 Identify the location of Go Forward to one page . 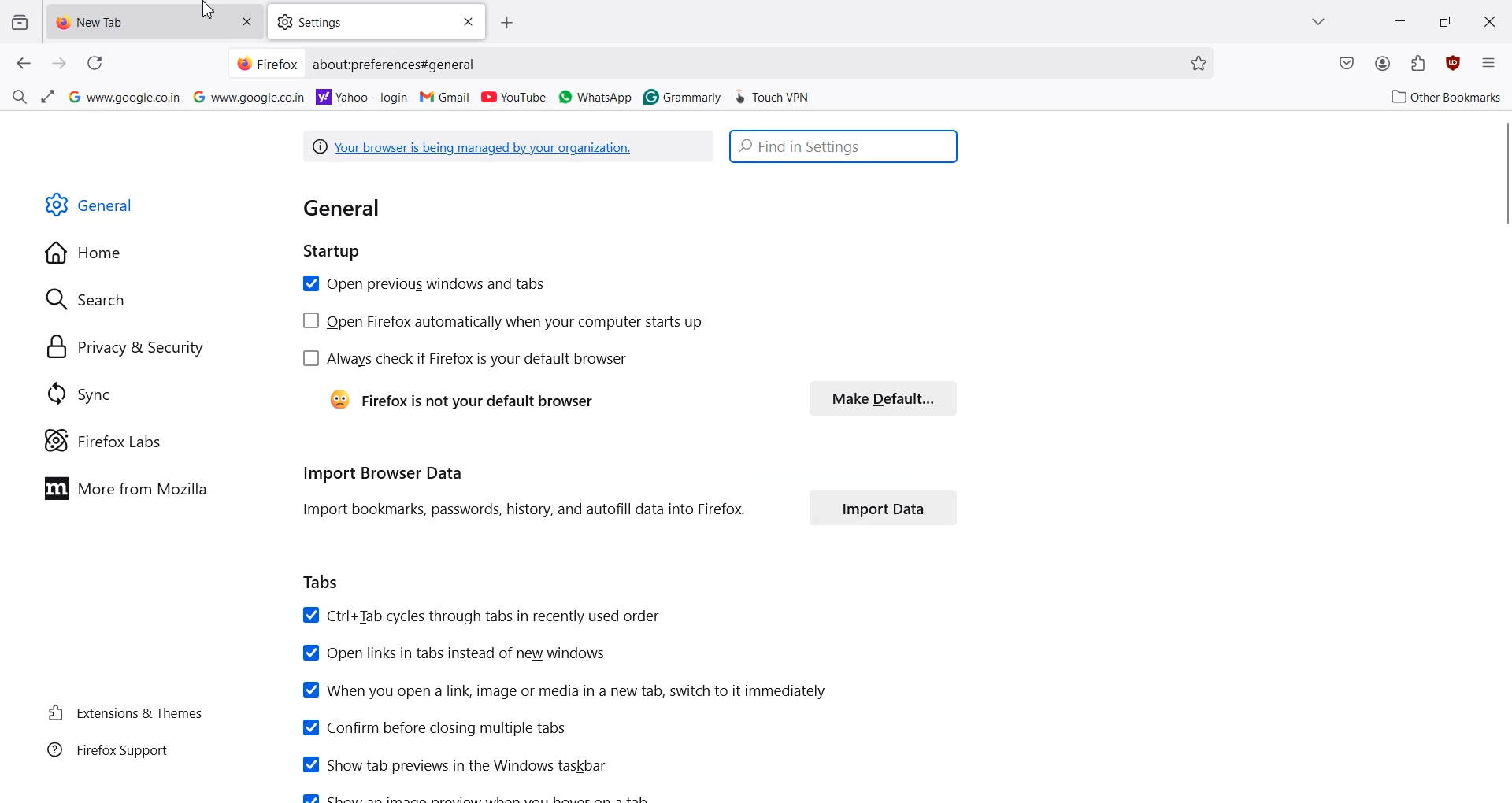
(60, 64).